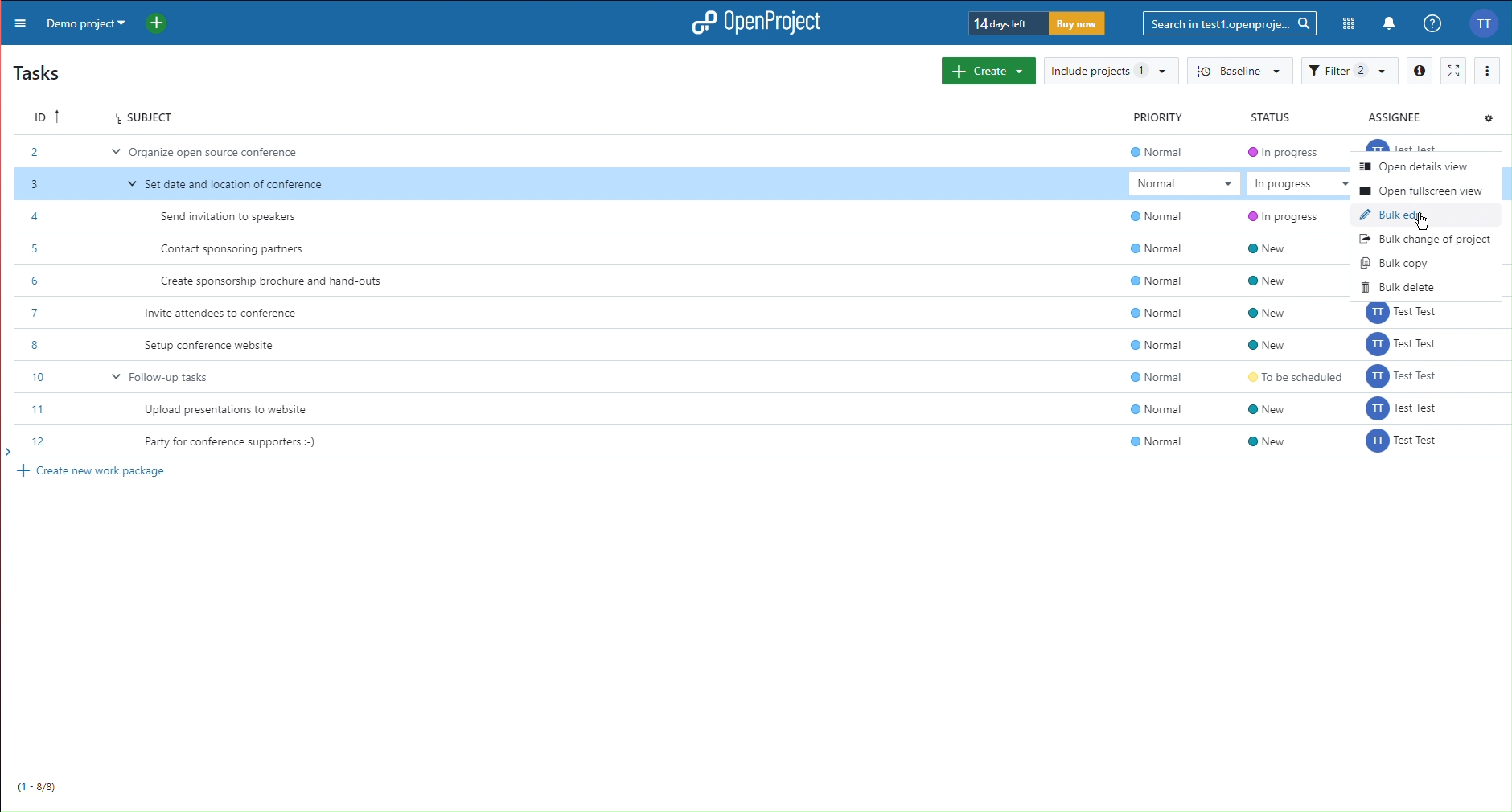 Image resolution: width=1512 pixels, height=812 pixels. Describe the element at coordinates (1401, 116) in the screenshot. I see `Assignee` at that location.